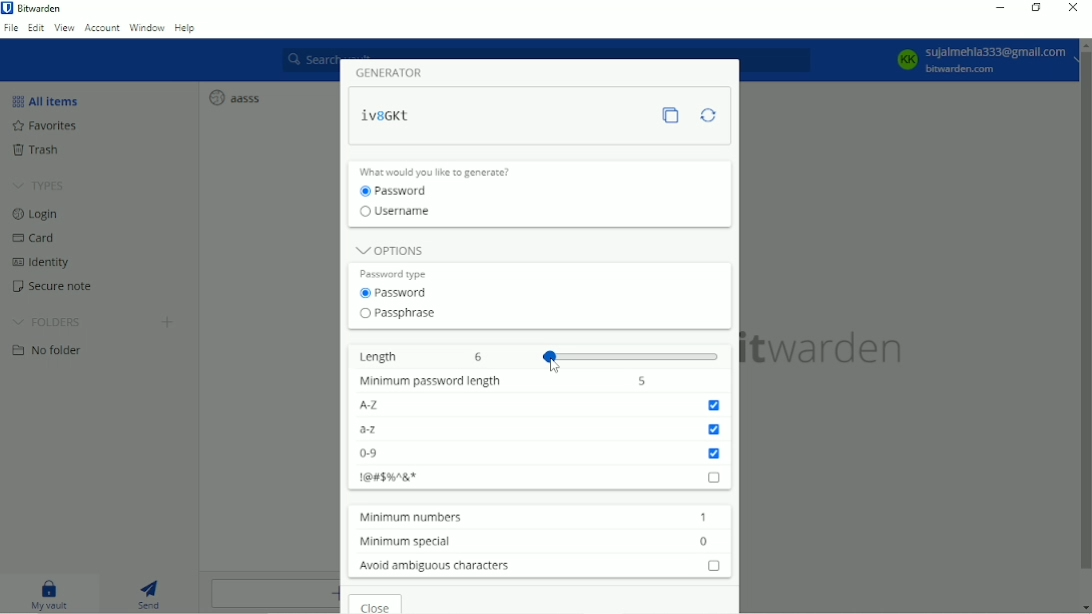 This screenshot has height=614, width=1092. I want to click on 6, so click(483, 357).